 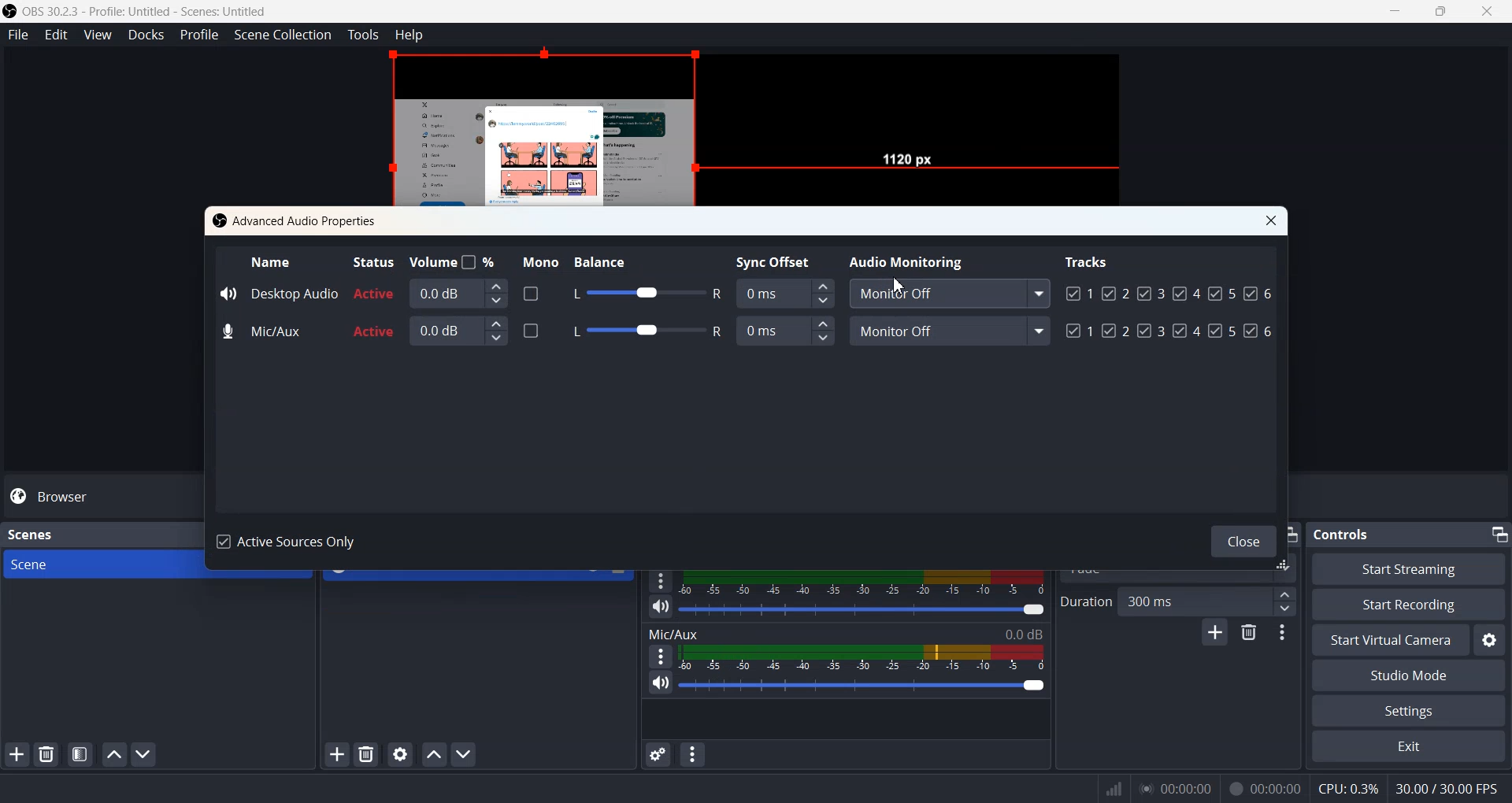 What do you see at coordinates (369, 754) in the screenshot?
I see `Delete selected sources` at bounding box center [369, 754].